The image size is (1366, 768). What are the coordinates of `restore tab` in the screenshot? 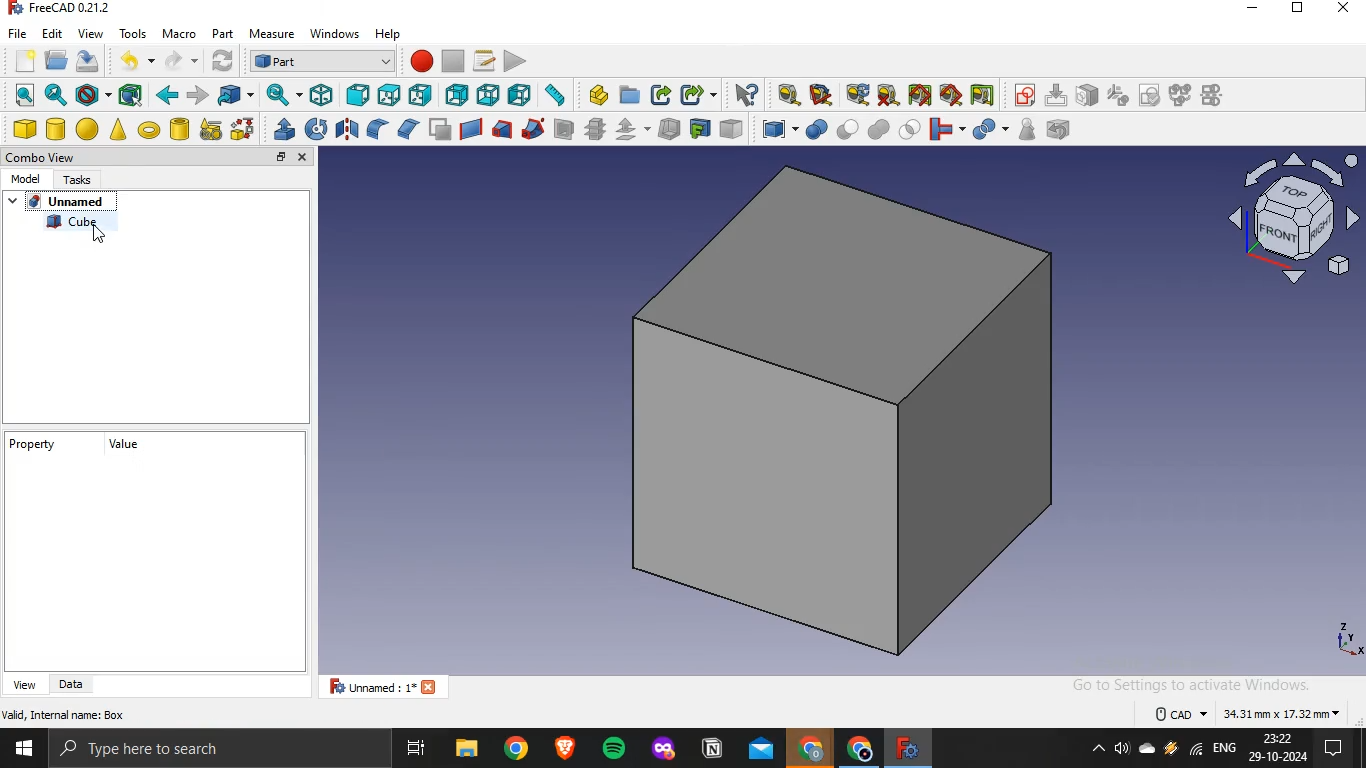 It's located at (281, 157).